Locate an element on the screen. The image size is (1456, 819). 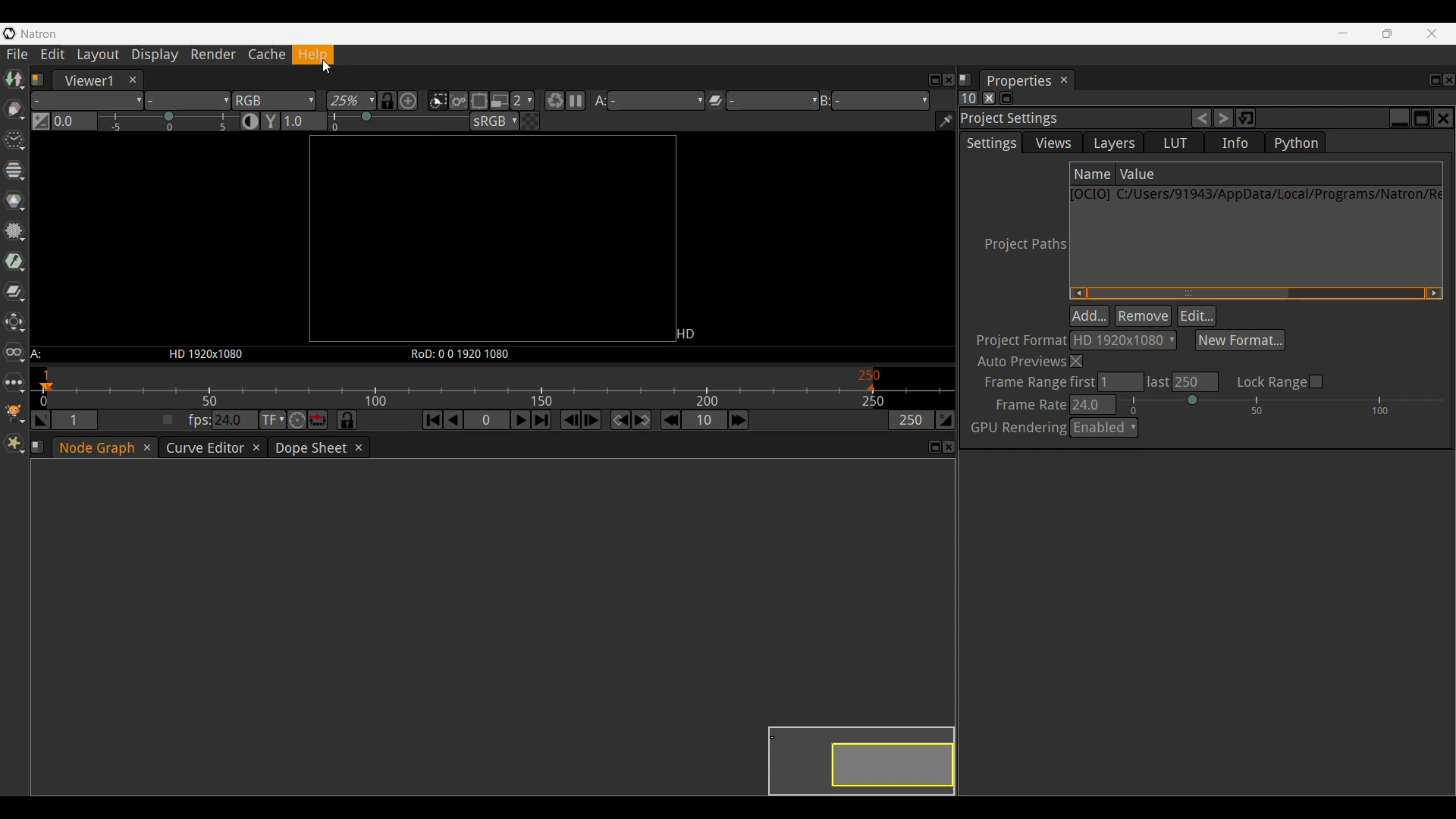
A checkered board under input A instead of black is located at coordinates (529, 121).